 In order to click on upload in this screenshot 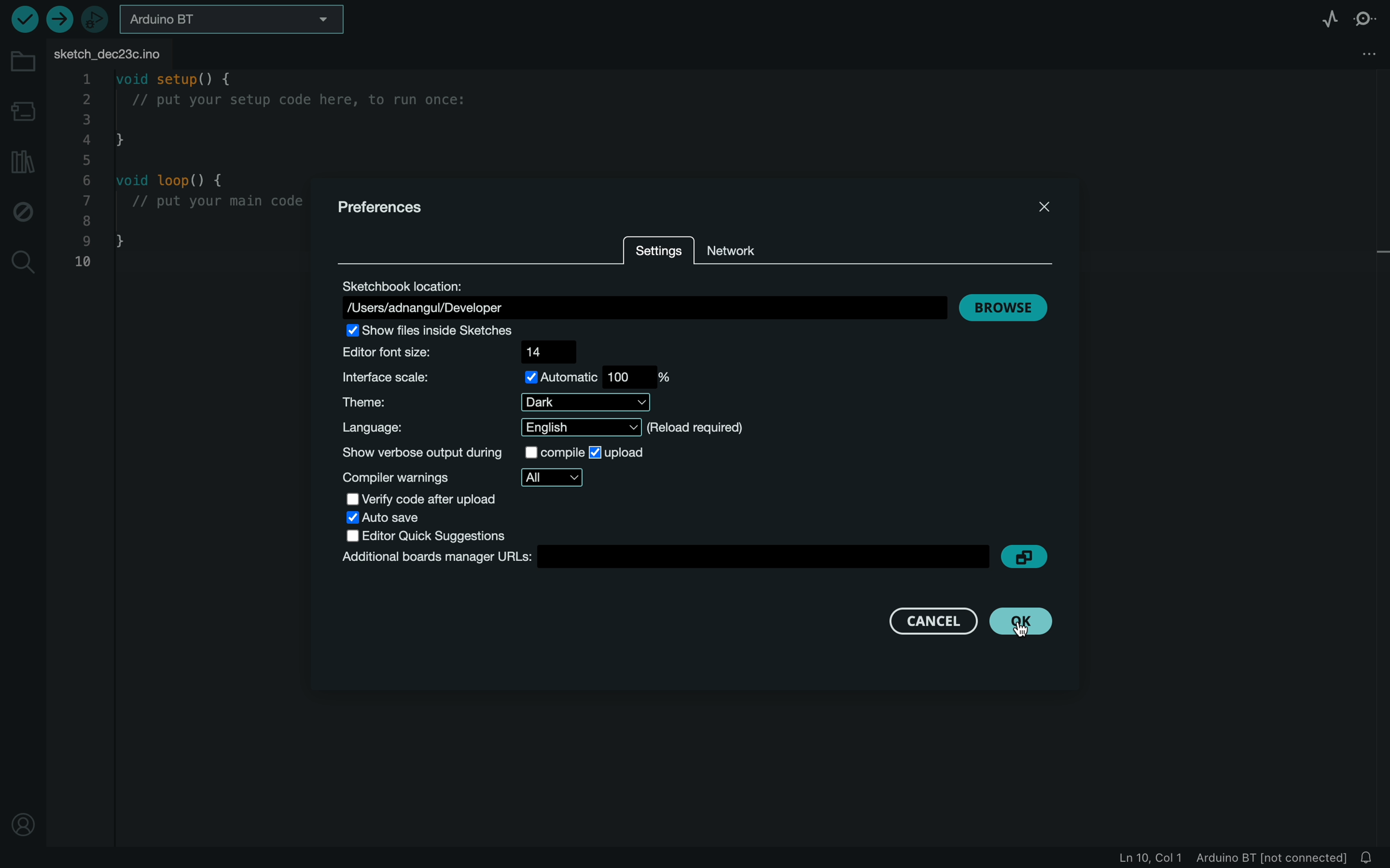, I will do `click(61, 19)`.